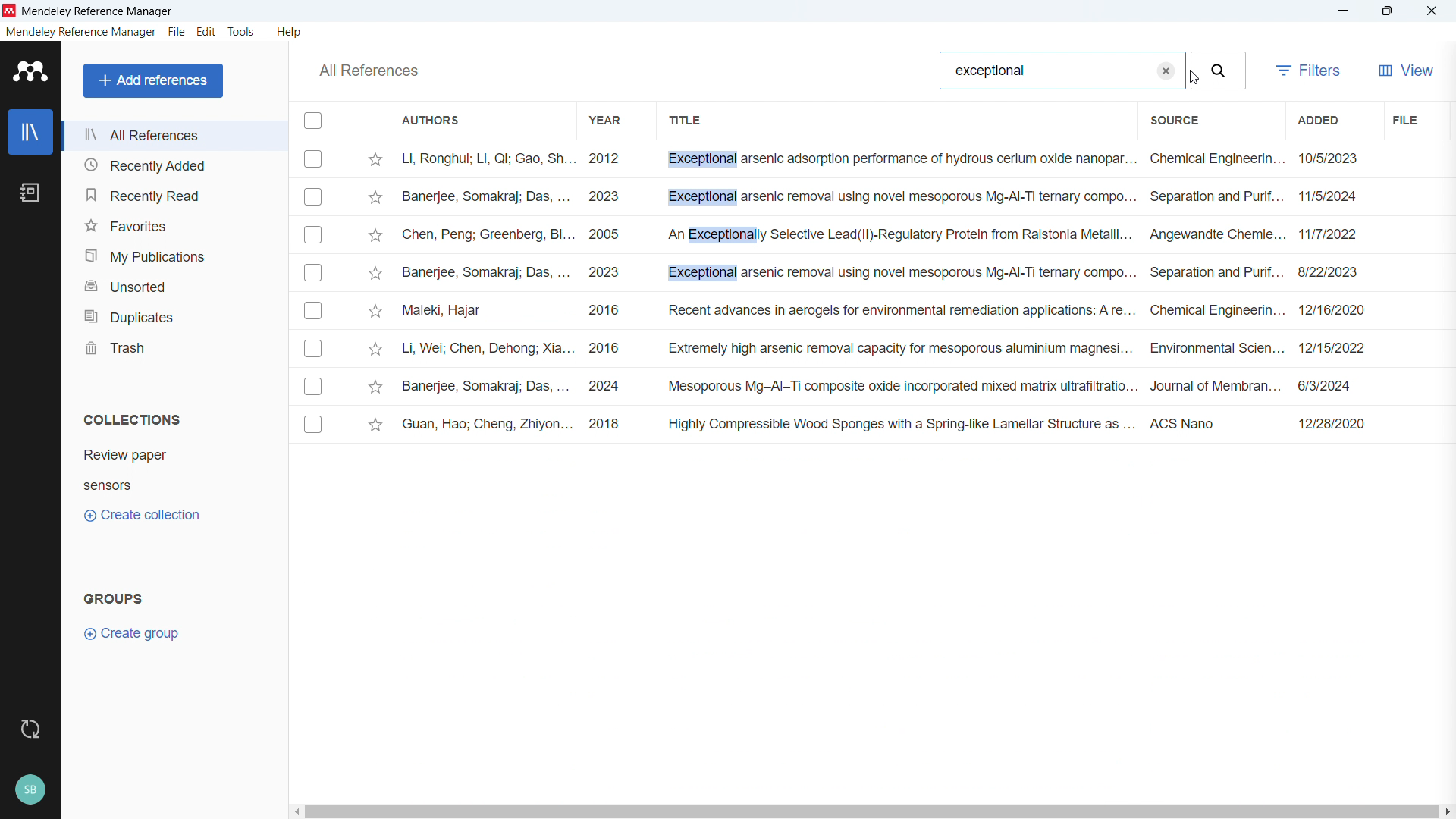 This screenshot has height=819, width=1456. I want to click on Short by date added , so click(1316, 119).